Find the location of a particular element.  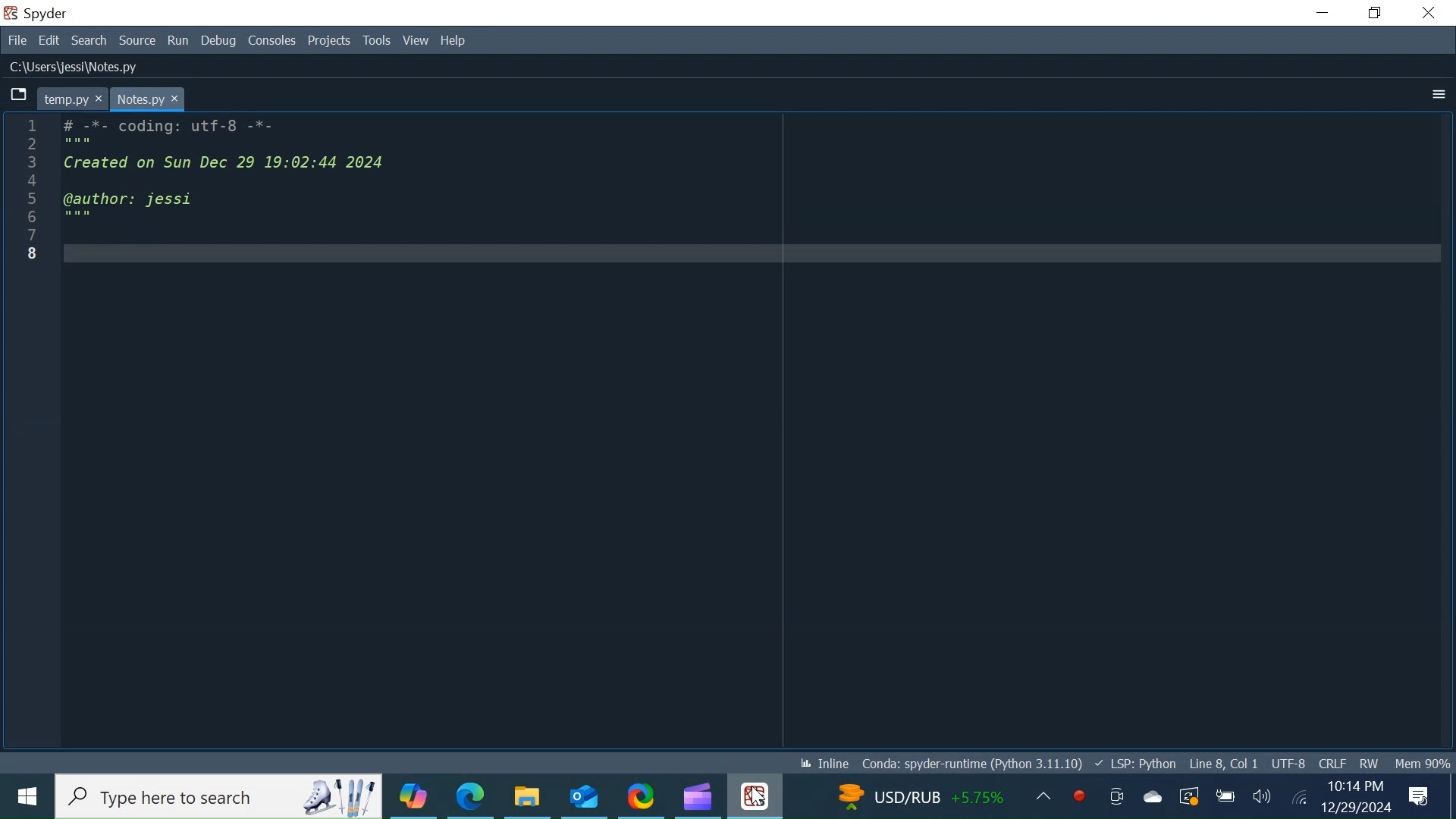

File Permission is located at coordinates (1368, 762).